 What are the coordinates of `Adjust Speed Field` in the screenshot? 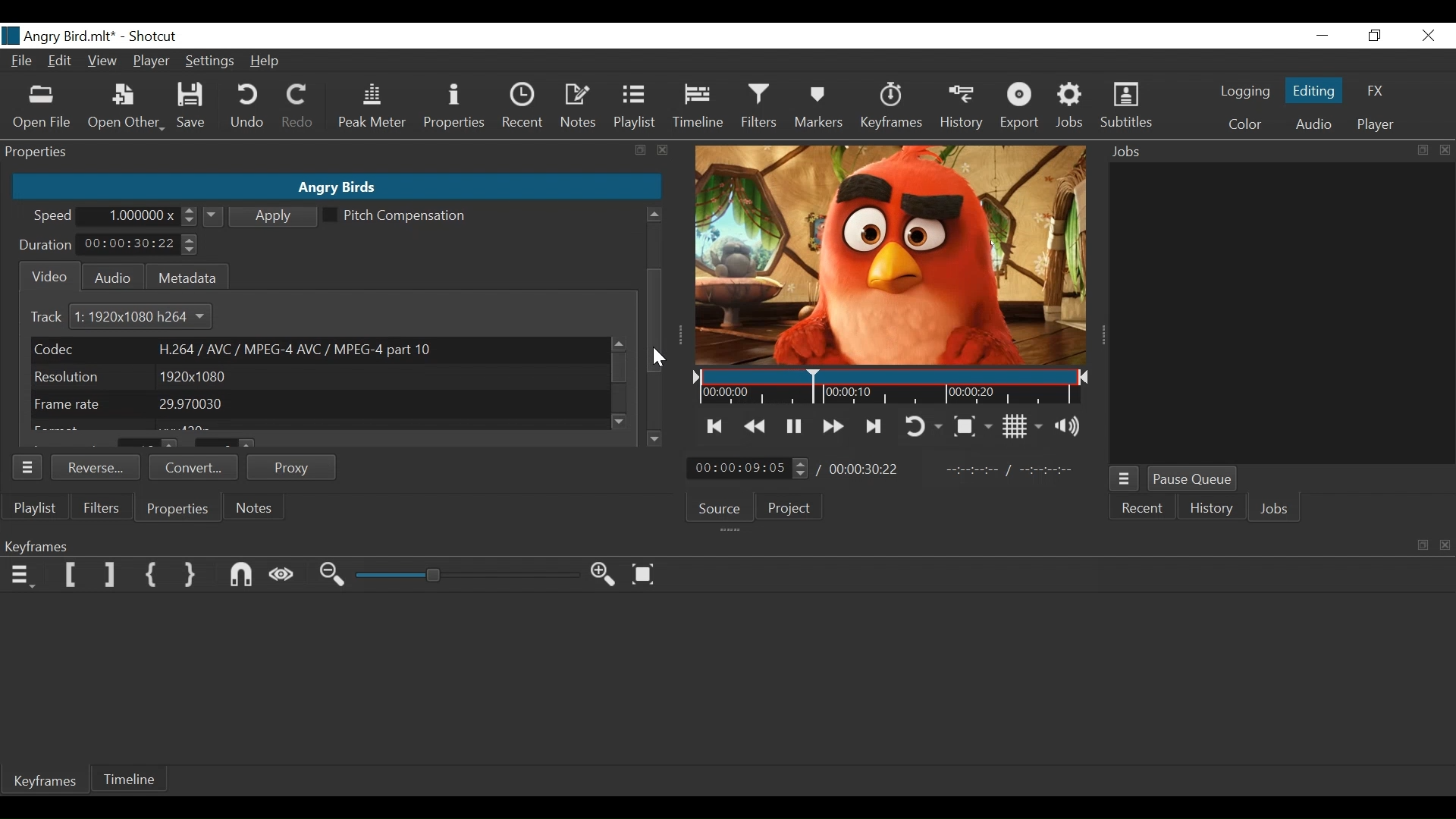 It's located at (143, 216).